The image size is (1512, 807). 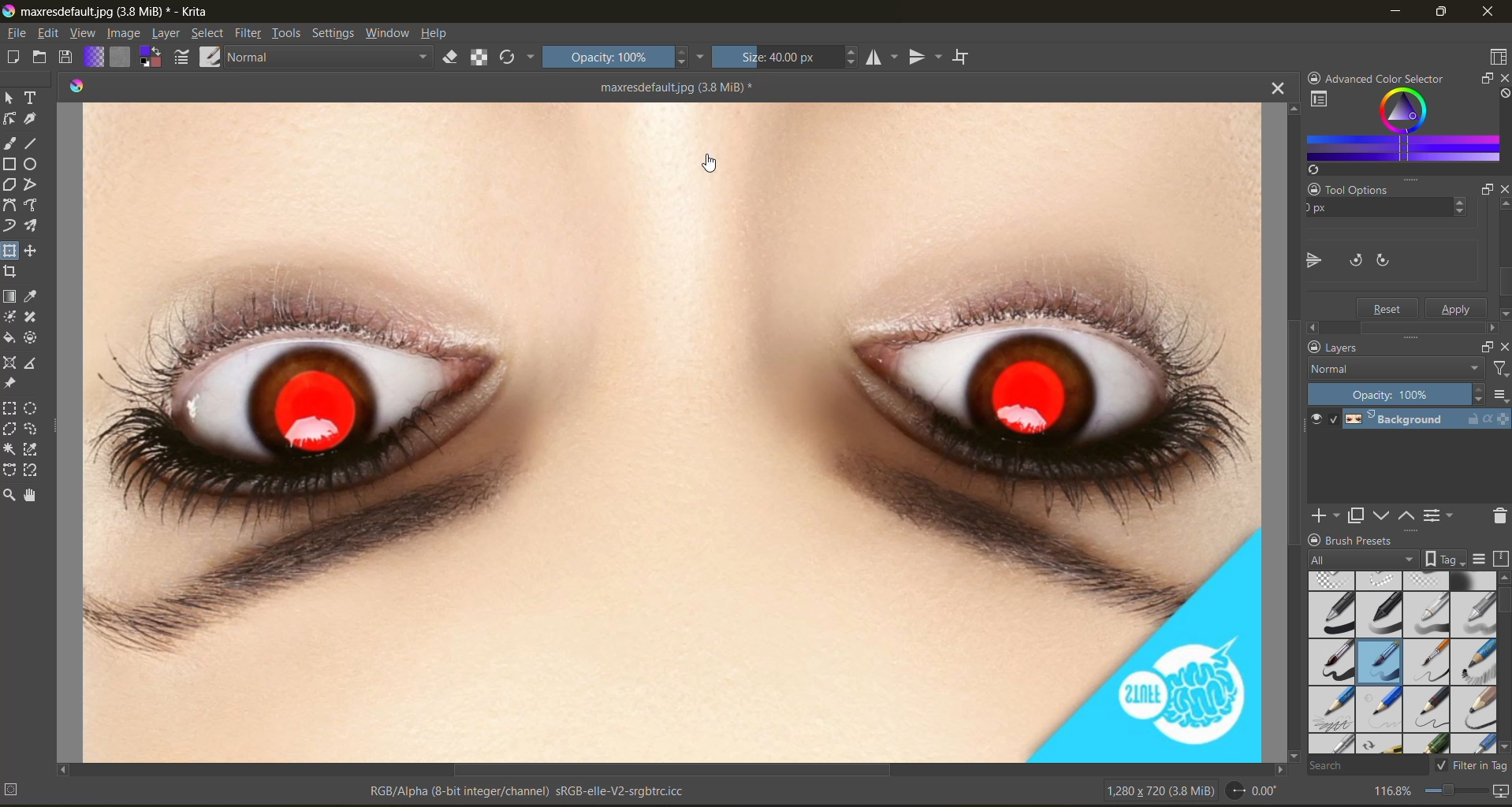 What do you see at coordinates (438, 33) in the screenshot?
I see `help` at bounding box center [438, 33].